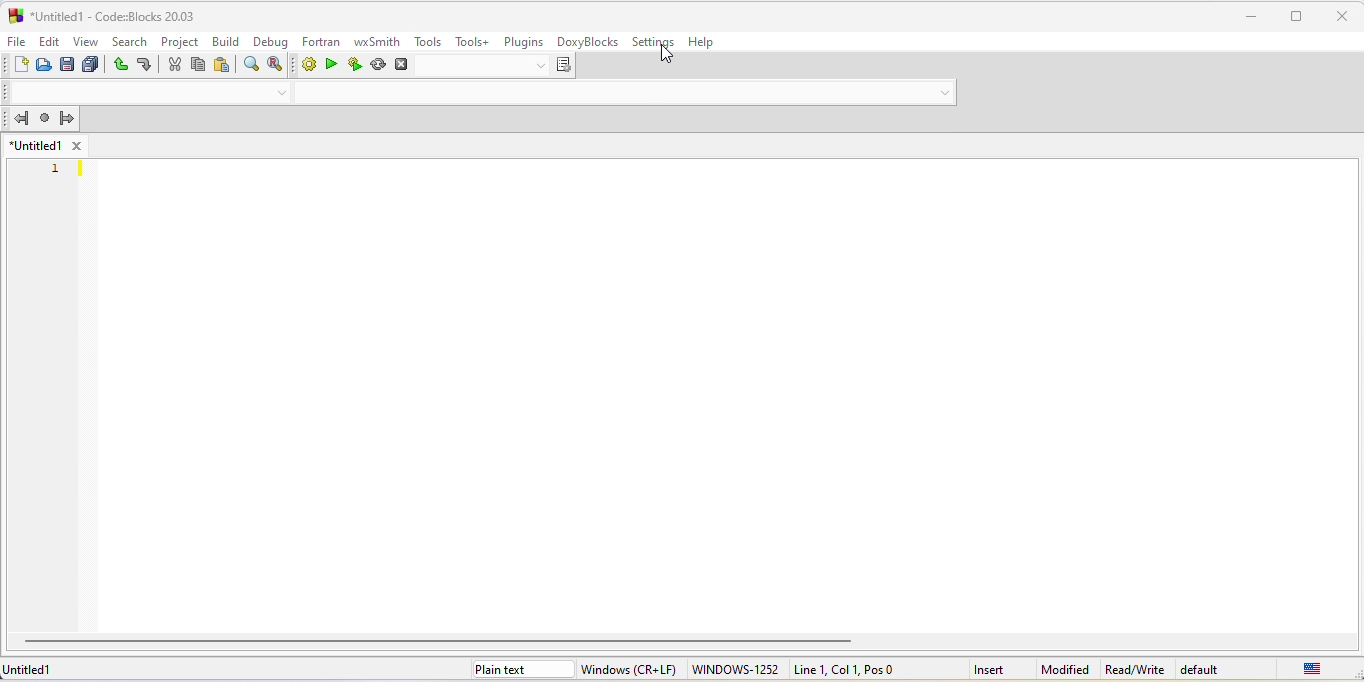 This screenshot has height=682, width=1364. I want to click on view, so click(85, 41).